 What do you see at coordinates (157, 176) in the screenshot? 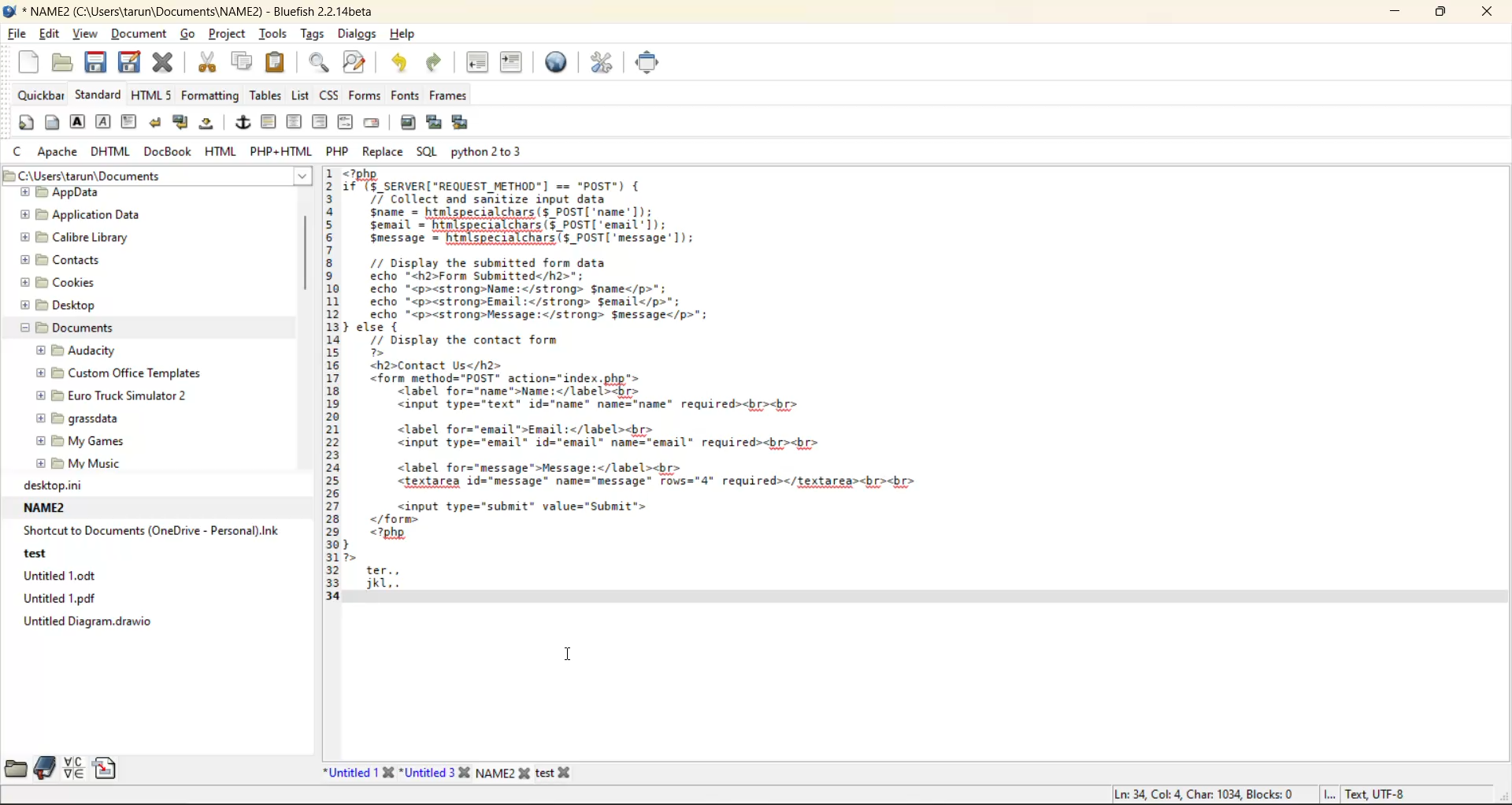
I see `file path` at bounding box center [157, 176].